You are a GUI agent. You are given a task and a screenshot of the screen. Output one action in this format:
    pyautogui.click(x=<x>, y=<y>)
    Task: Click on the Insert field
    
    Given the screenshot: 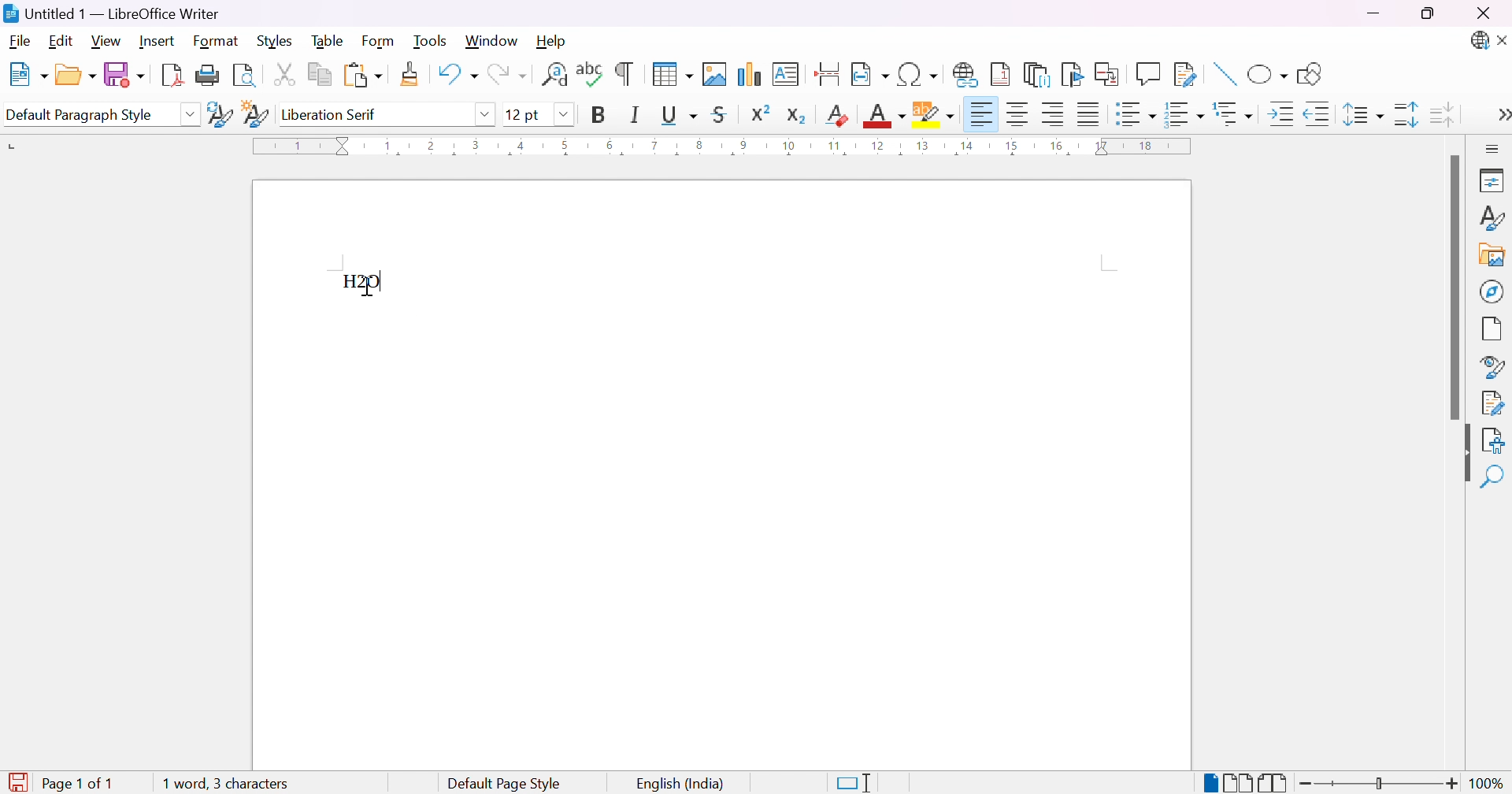 What is the action you would take?
    pyautogui.click(x=869, y=75)
    